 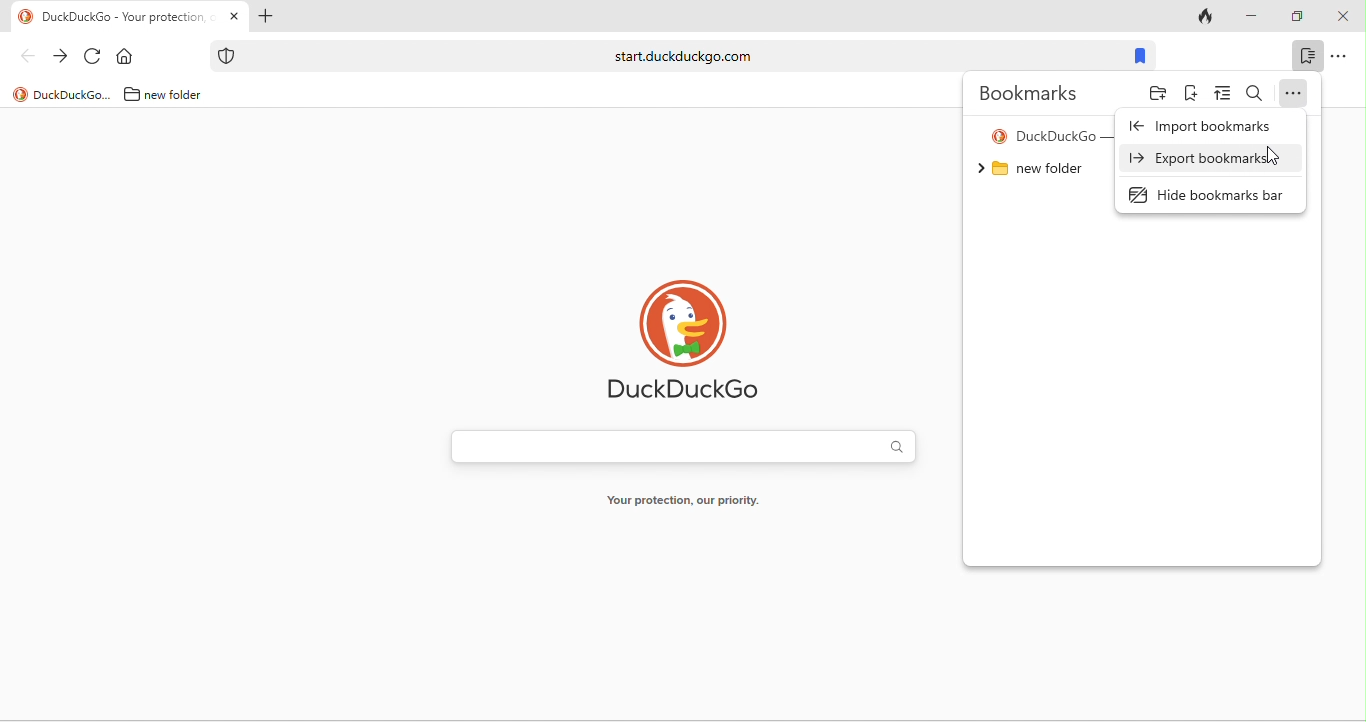 What do you see at coordinates (93, 56) in the screenshot?
I see `reload` at bounding box center [93, 56].